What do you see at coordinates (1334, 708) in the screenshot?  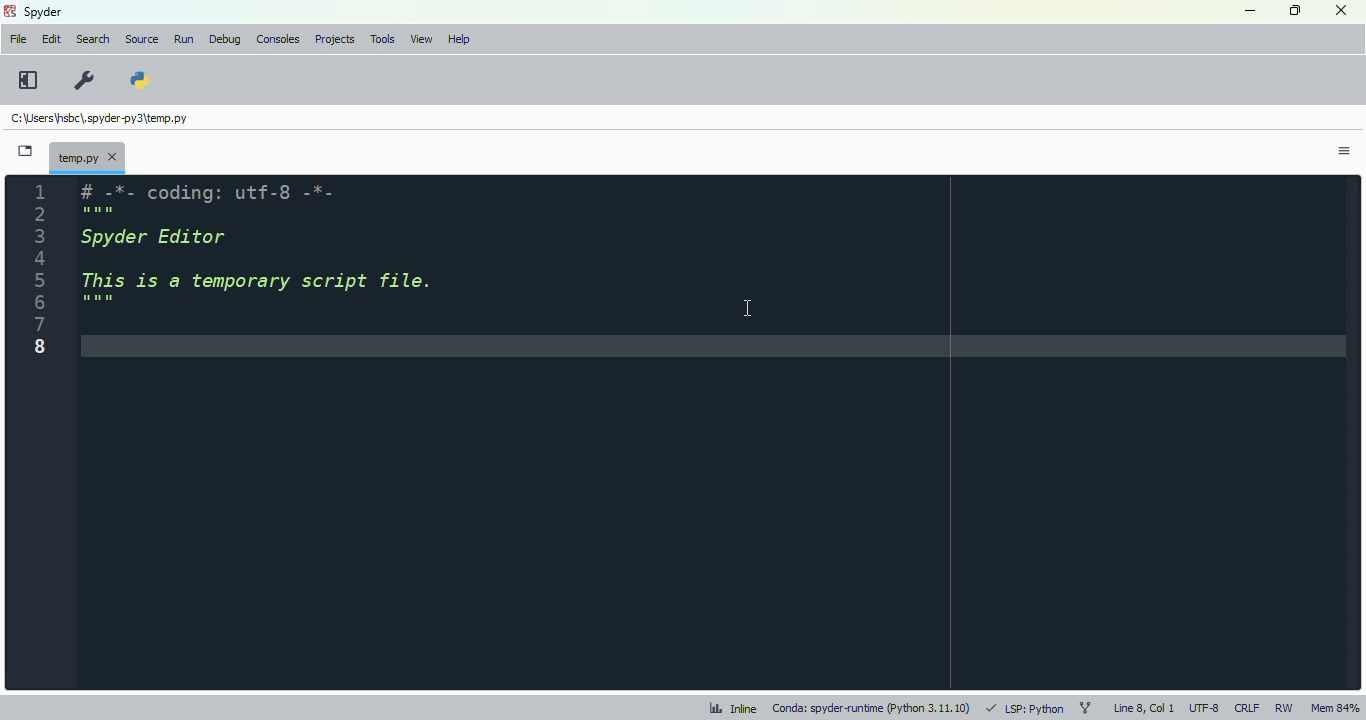 I see `mem 83%` at bounding box center [1334, 708].